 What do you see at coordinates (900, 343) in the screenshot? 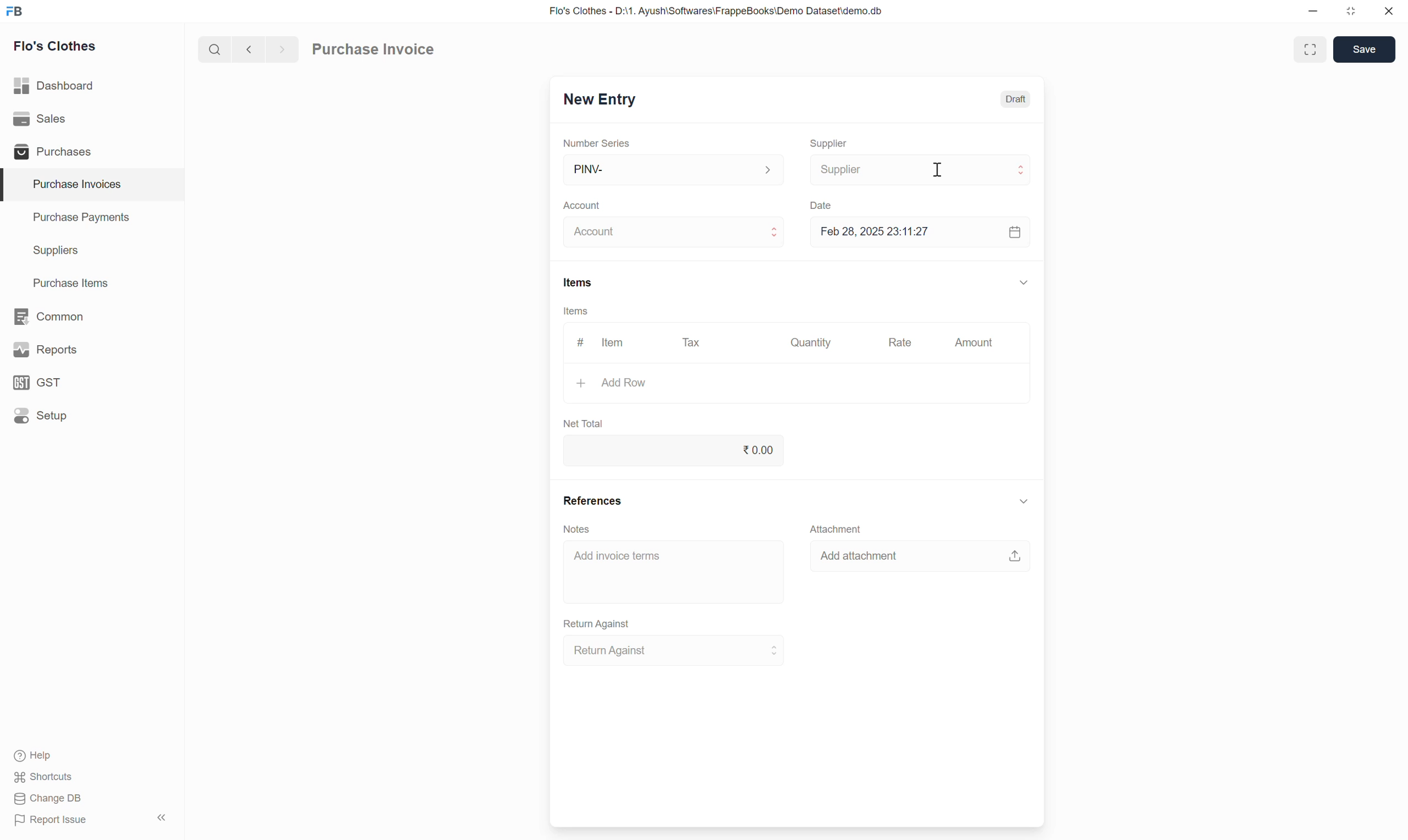
I see `Rate` at bounding box center [900, 343].